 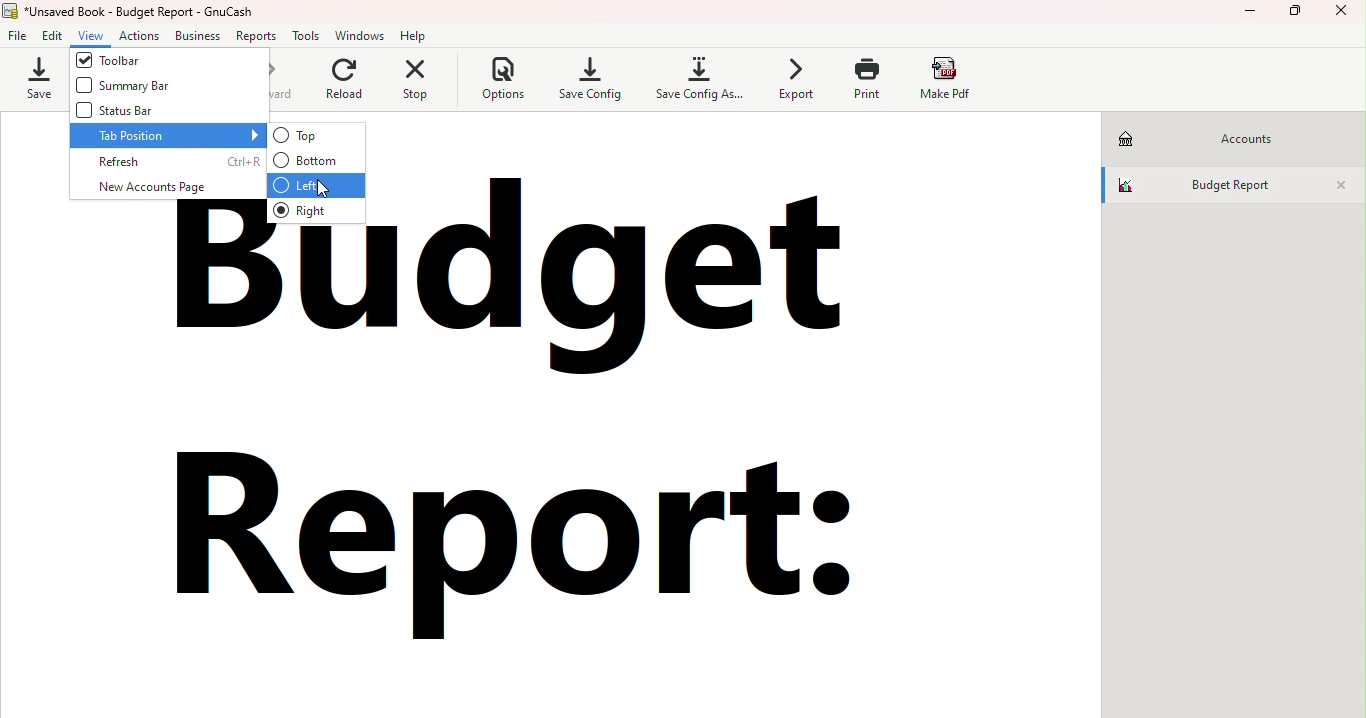 I want to click on Close, so click(x=1339, y=16).